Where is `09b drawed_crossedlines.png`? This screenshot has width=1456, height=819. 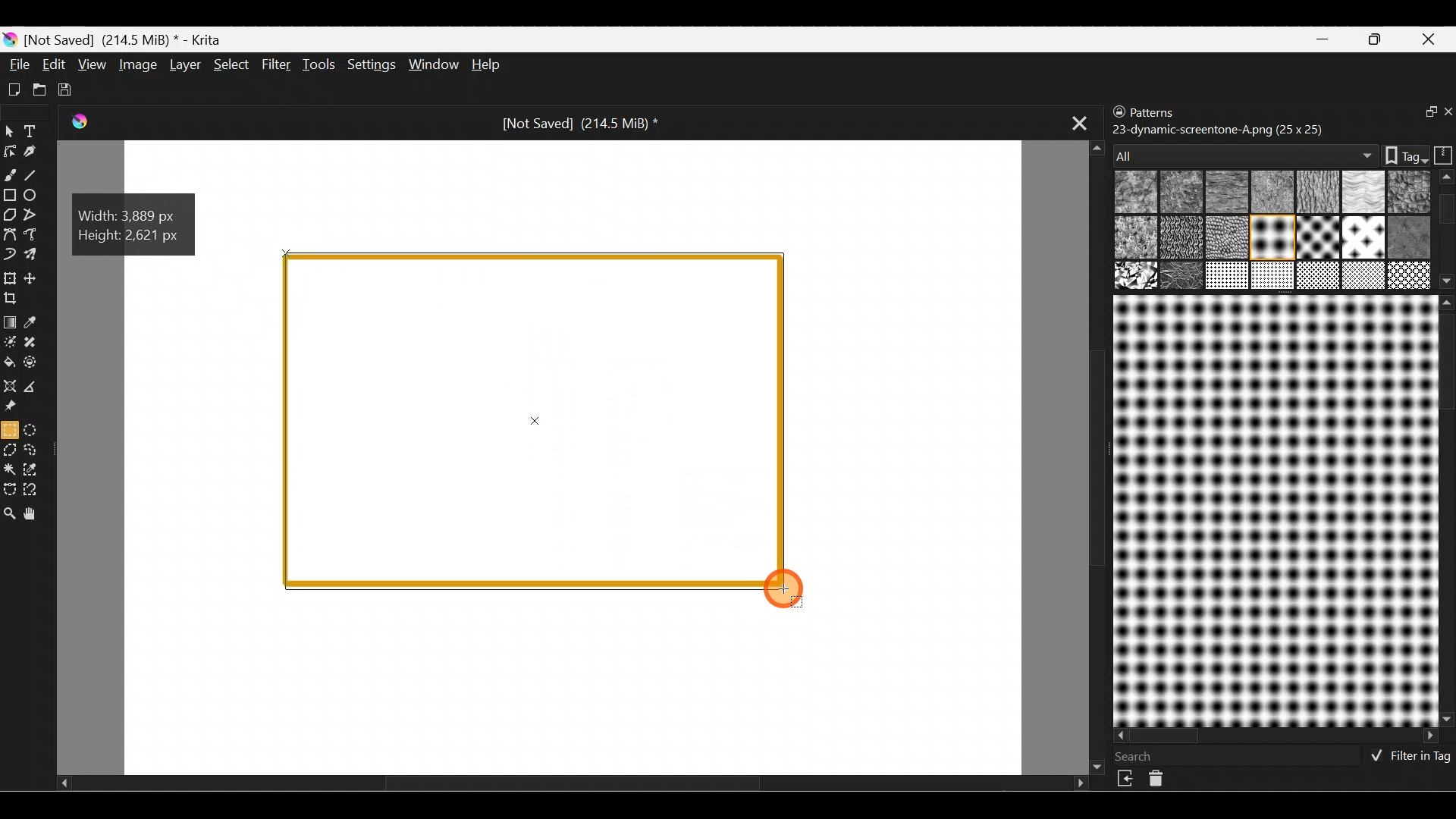
09b drawed_crossedlines.png is located at coordinates (1225, 237).